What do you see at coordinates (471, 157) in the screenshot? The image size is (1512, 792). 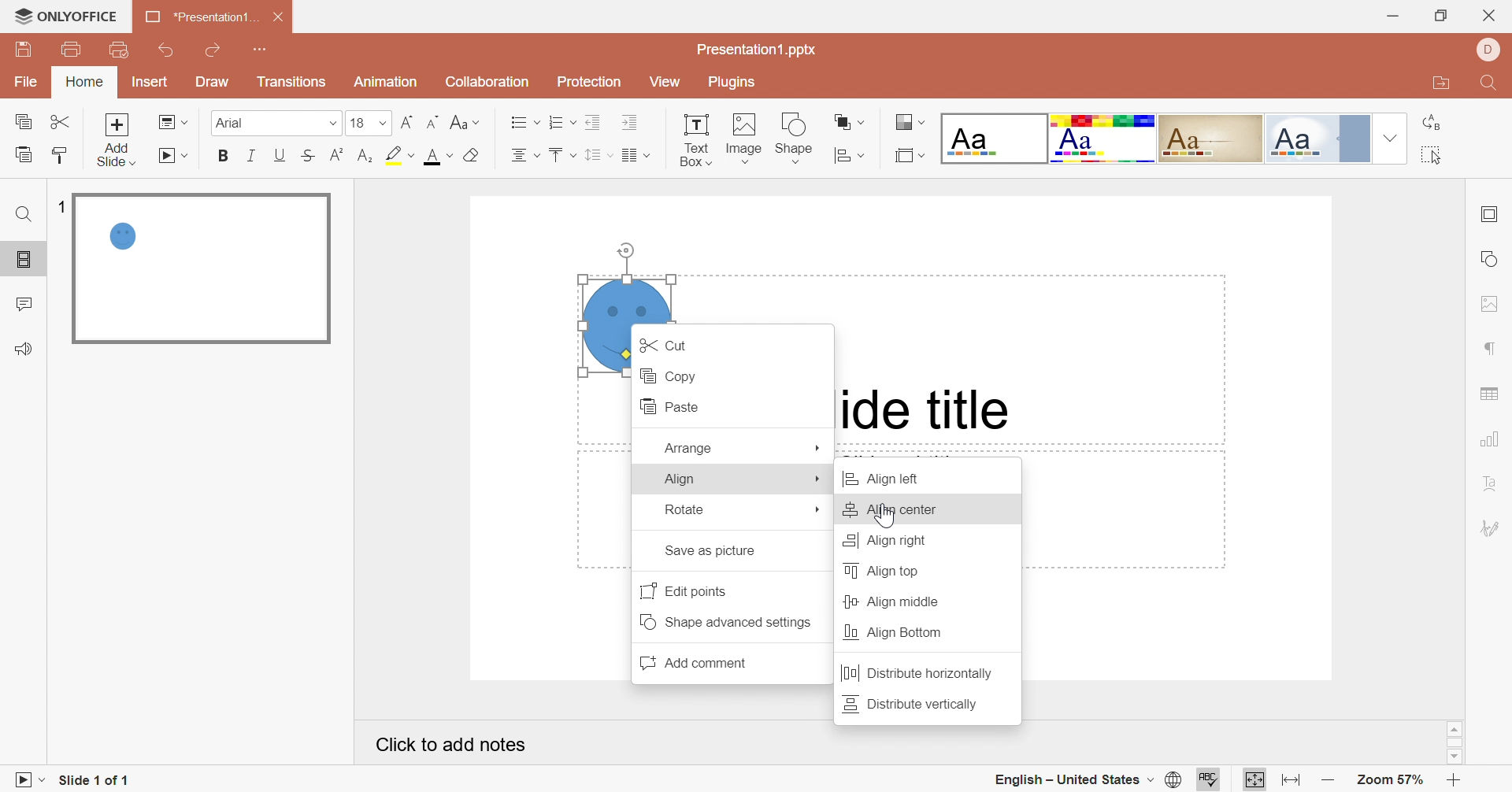 I see `Clear` at bounding box center [471, 157].